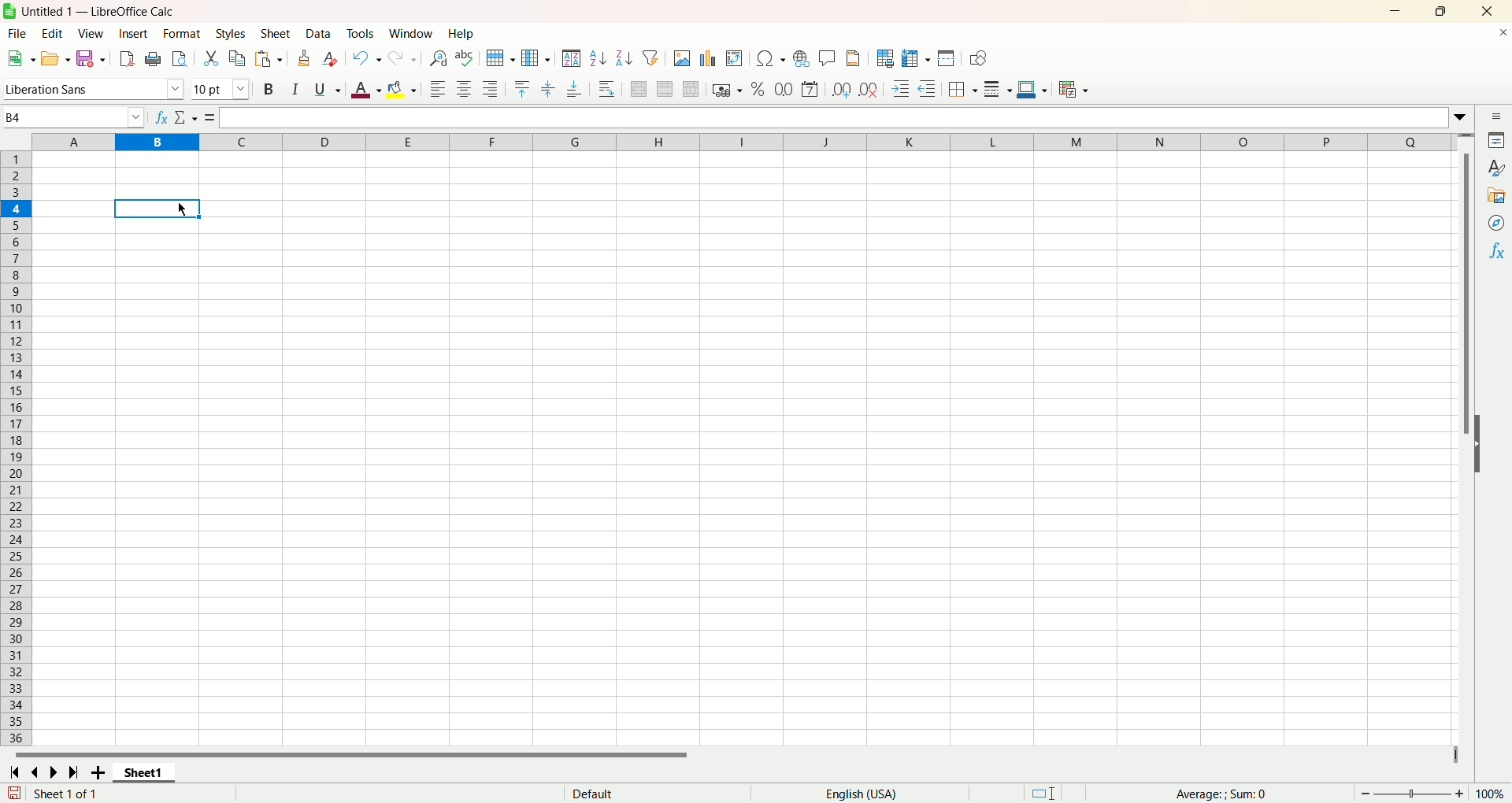  What do you see at coordinates (437, 59) in the screenshot?
I see `find and replace` at bounding box center [437, 59].